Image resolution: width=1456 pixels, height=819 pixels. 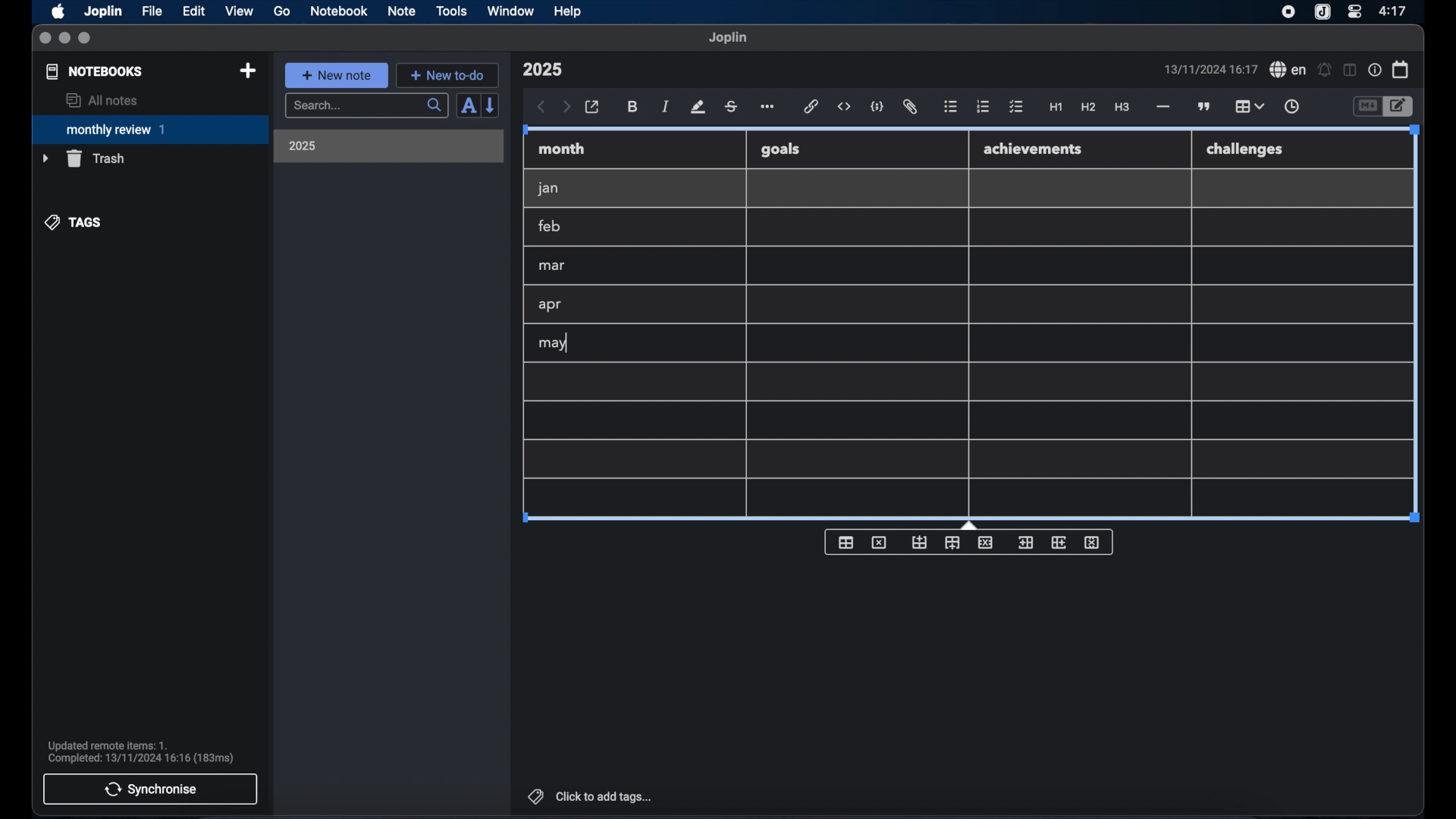 What do you see at coordinates (366, 107) in the screenshot?
I see `search bar` at bounding box center [366, 107].